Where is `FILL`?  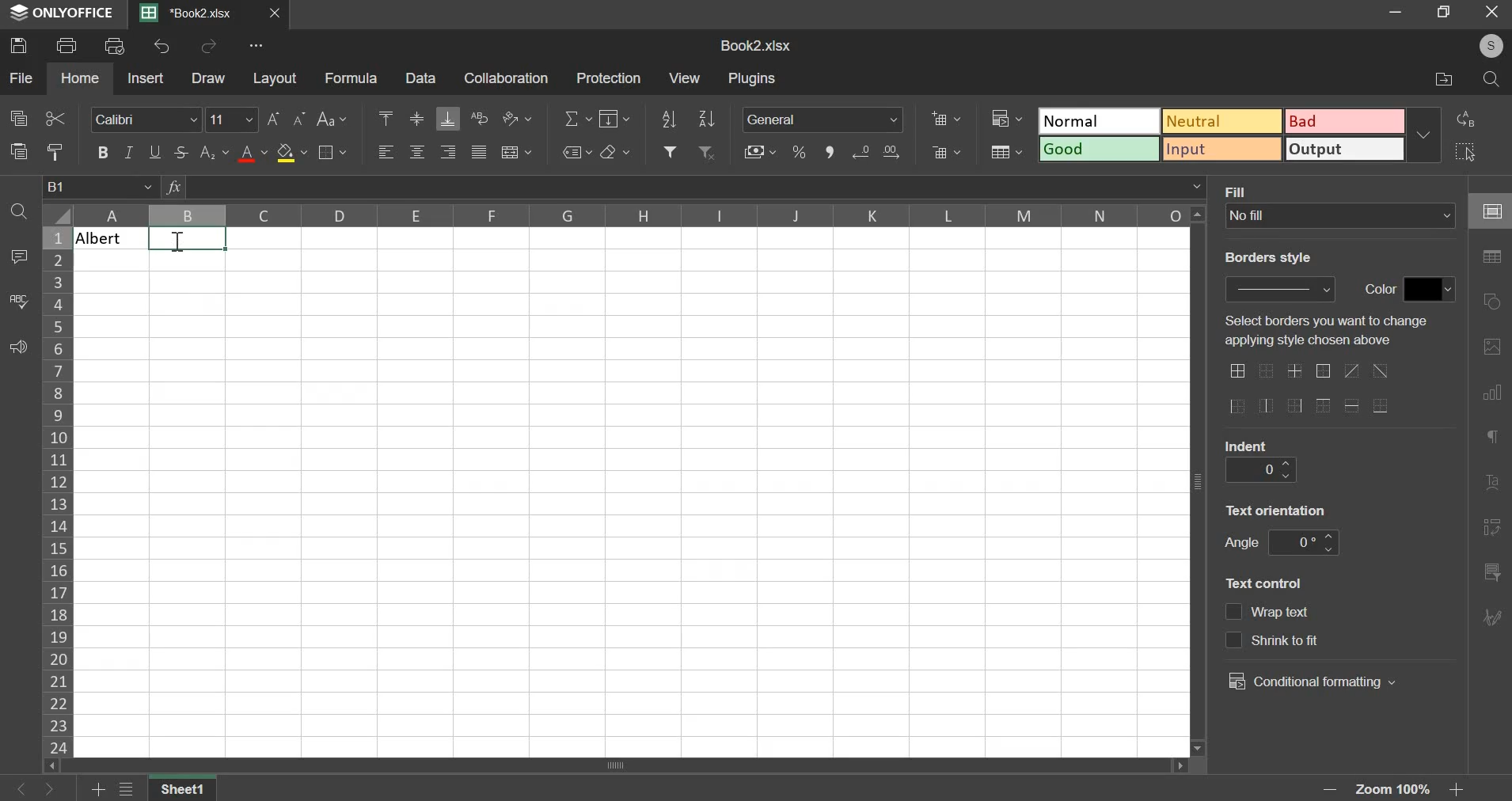
FILL is located at coordinates (1244, 190).